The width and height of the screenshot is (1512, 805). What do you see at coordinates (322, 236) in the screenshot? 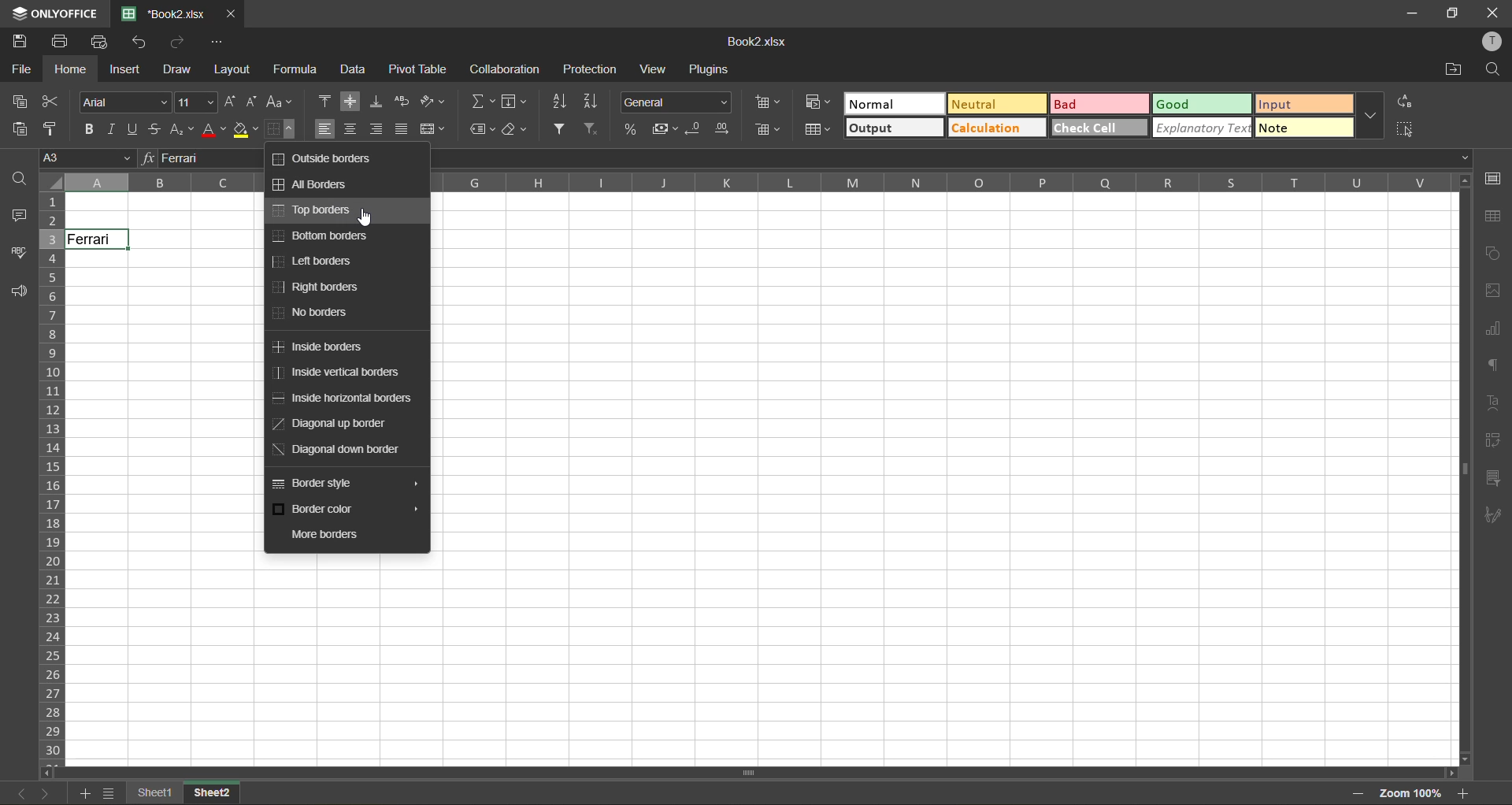
I see `bottom  borders` at bounding box center [322, 236].